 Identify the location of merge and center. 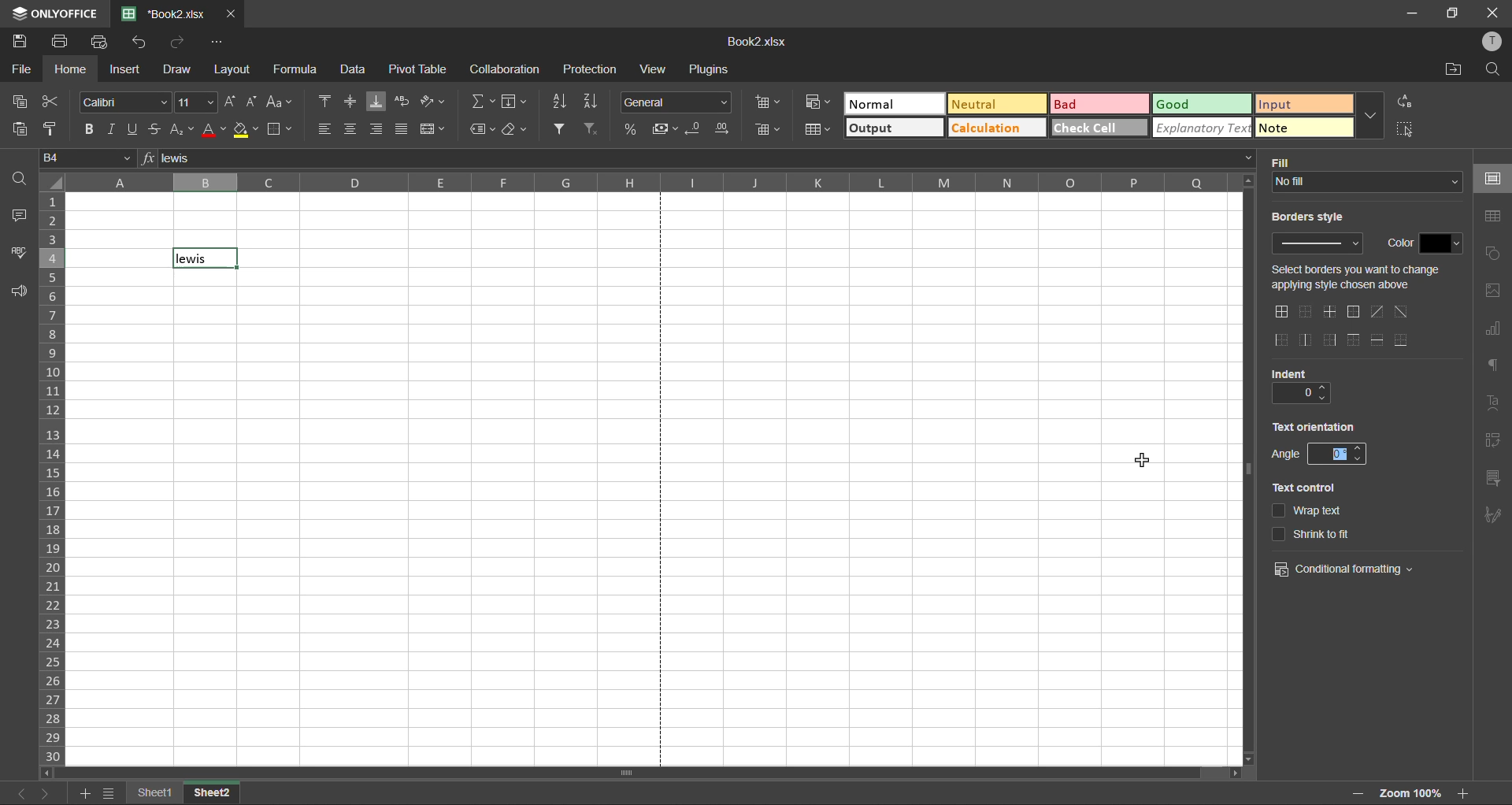
(432, 129).